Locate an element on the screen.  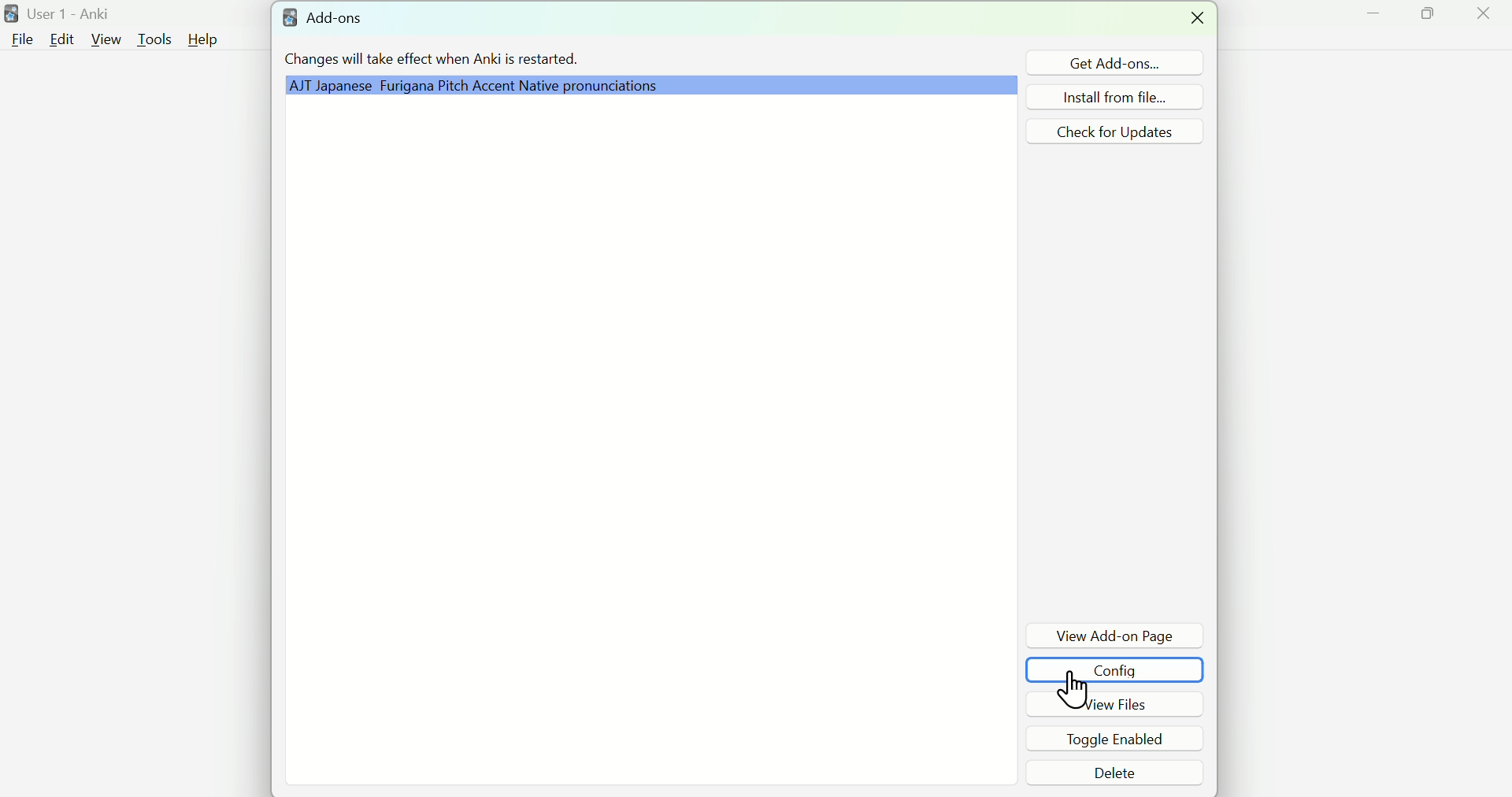
View Add-on Page is located at coordinates (1117, 638).